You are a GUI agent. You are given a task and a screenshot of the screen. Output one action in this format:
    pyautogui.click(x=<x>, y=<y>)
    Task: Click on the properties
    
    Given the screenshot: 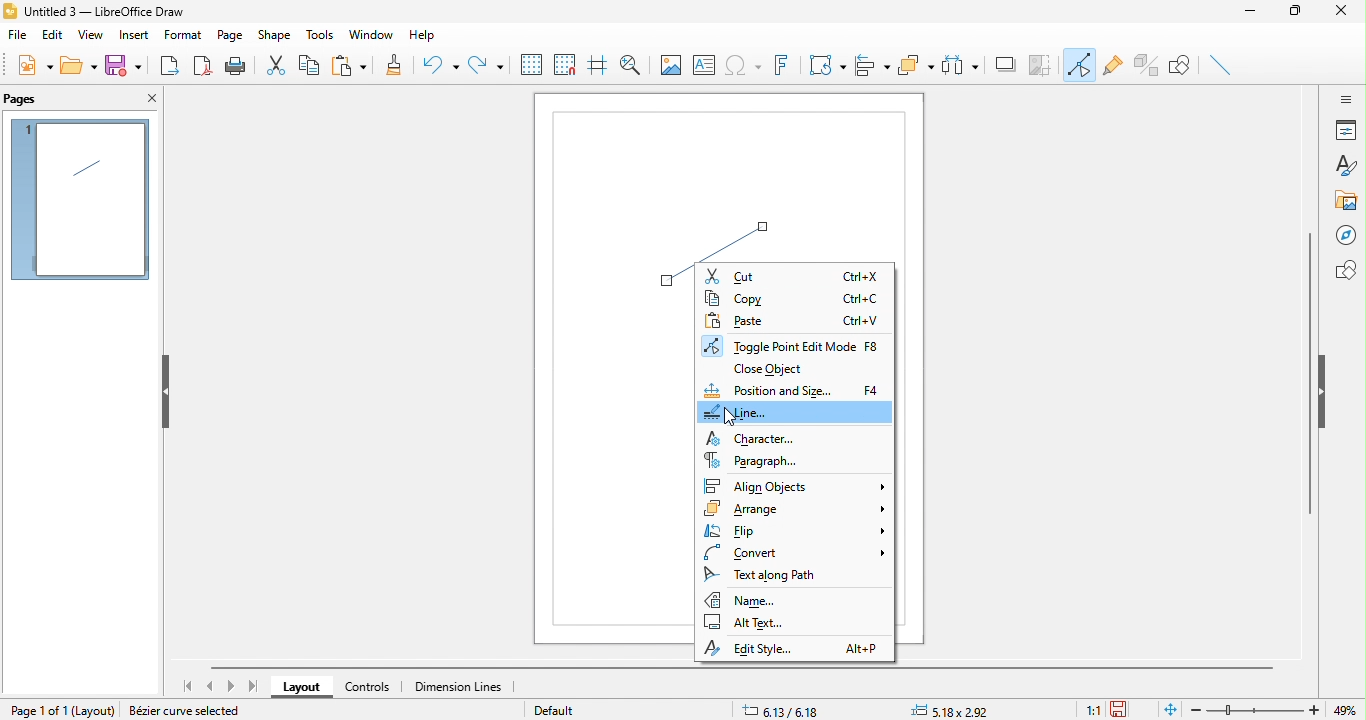 What is the action you would take?
    pyautogui.click(x=1346, y=130)
    